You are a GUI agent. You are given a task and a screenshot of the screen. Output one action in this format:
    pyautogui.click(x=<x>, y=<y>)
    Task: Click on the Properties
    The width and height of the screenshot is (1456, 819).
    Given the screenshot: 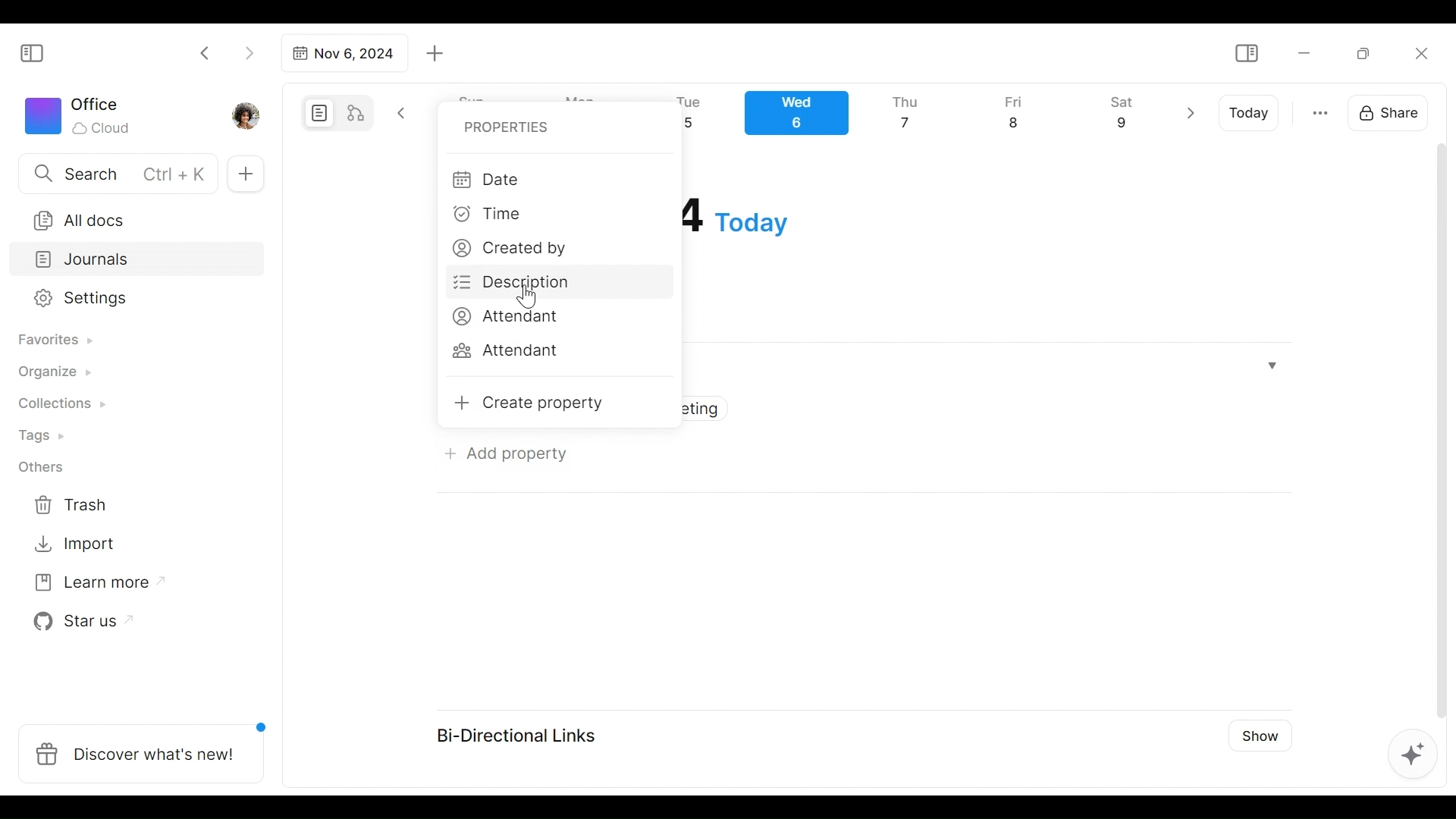 What is the action you would take?
    pyautogui.click(x=502, y=126)
    